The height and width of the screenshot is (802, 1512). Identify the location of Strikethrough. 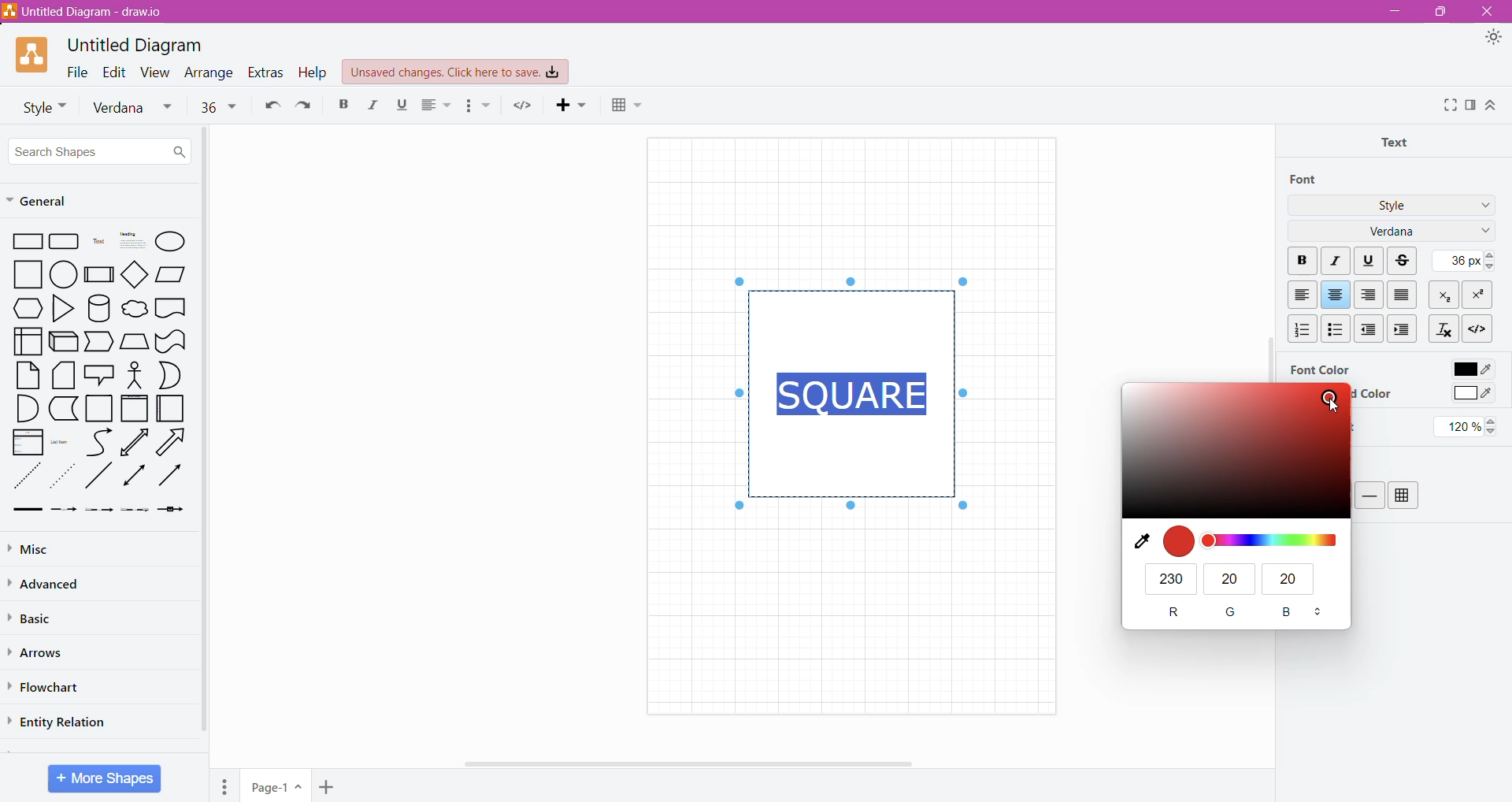
(1404, 261).